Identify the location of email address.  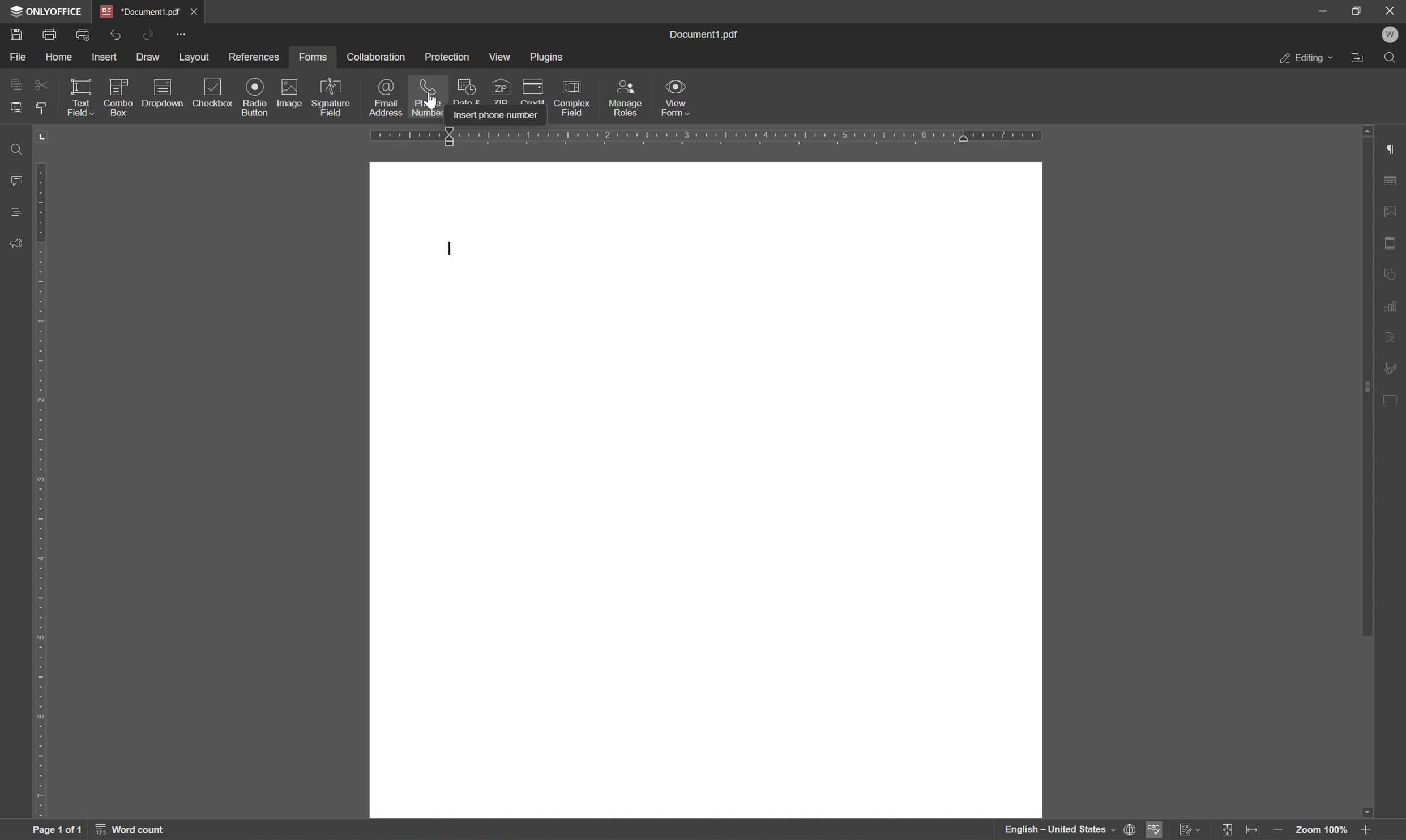
(385, 99).